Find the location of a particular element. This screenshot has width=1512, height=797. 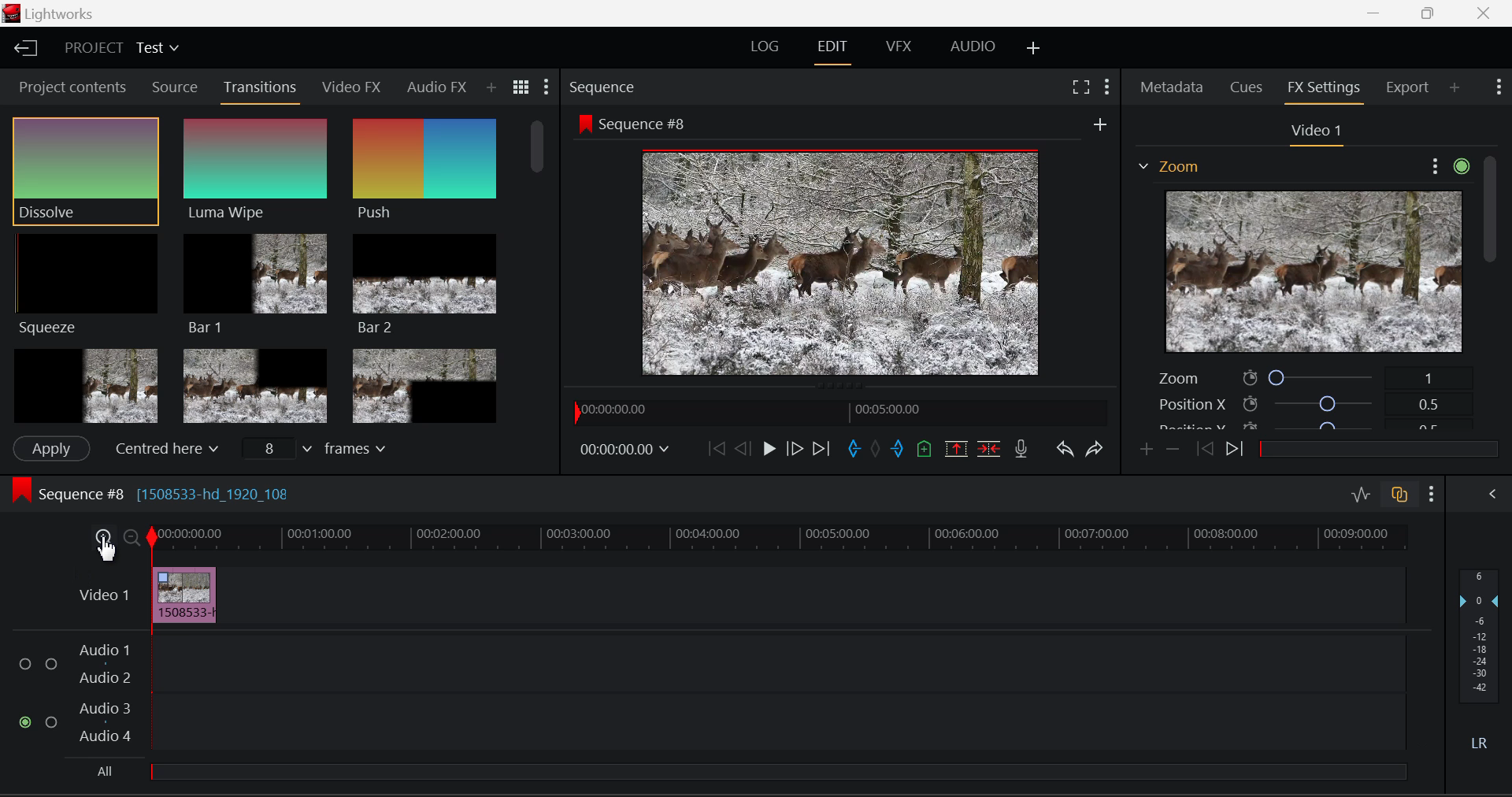

Left Right Sound Button is located at coordinates (1479, 743).